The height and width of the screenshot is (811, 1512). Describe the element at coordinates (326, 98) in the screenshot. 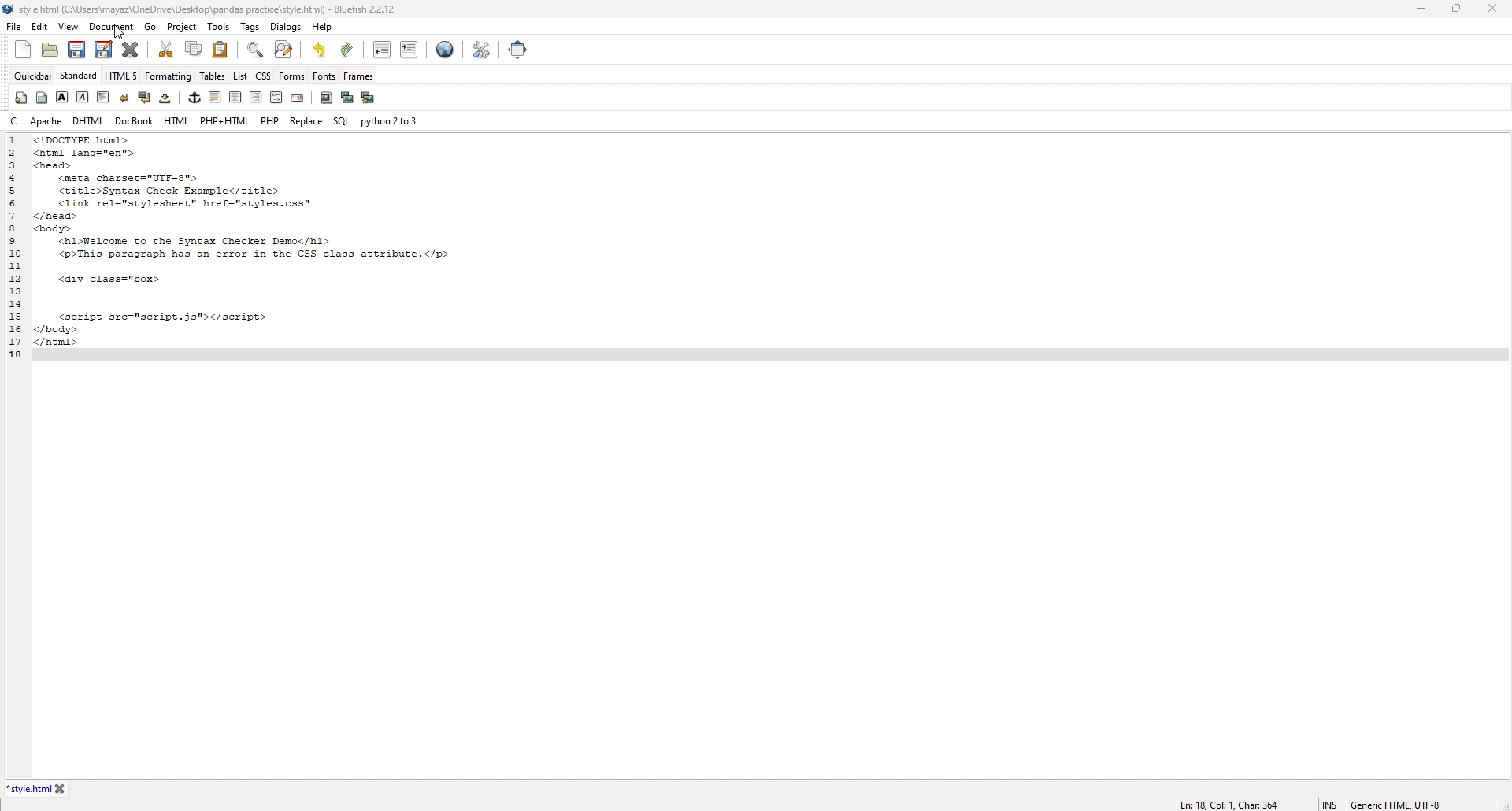

I see `insert image` at that location.